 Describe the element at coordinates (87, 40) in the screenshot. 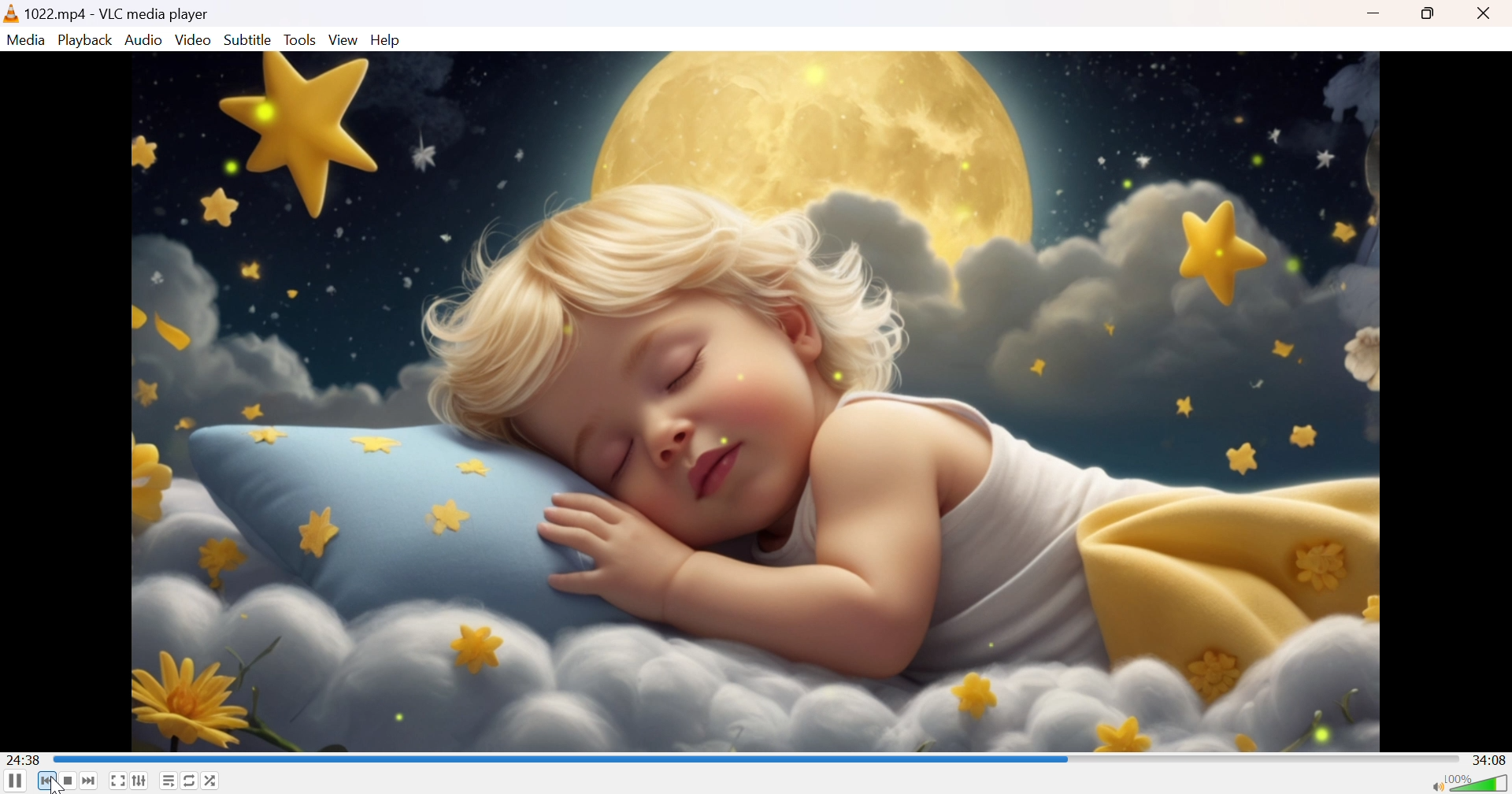

I see `Playback` at that location.